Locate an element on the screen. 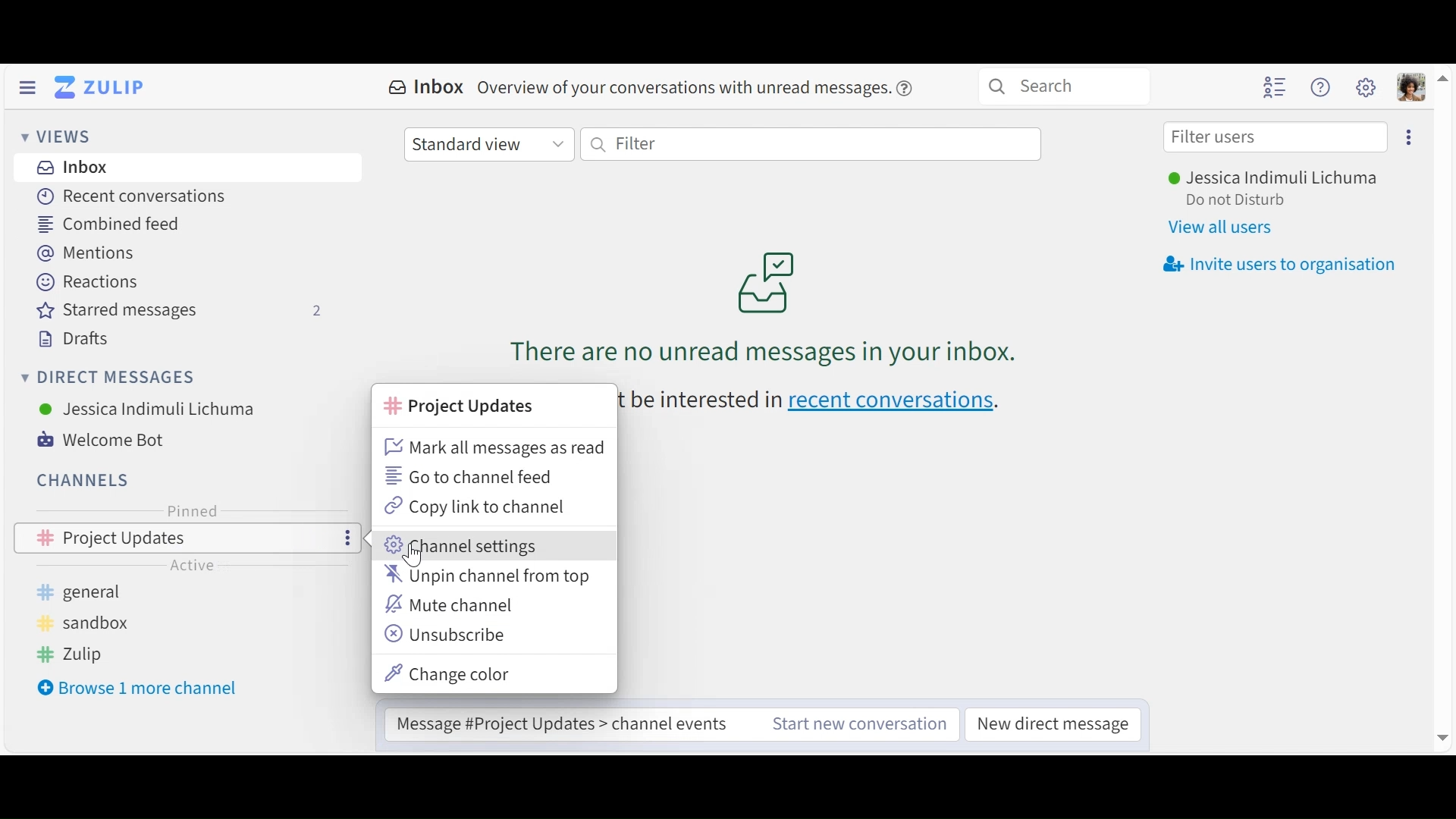 The image size is (1456, 819). Add user list is located at coordinates (1276, 86).